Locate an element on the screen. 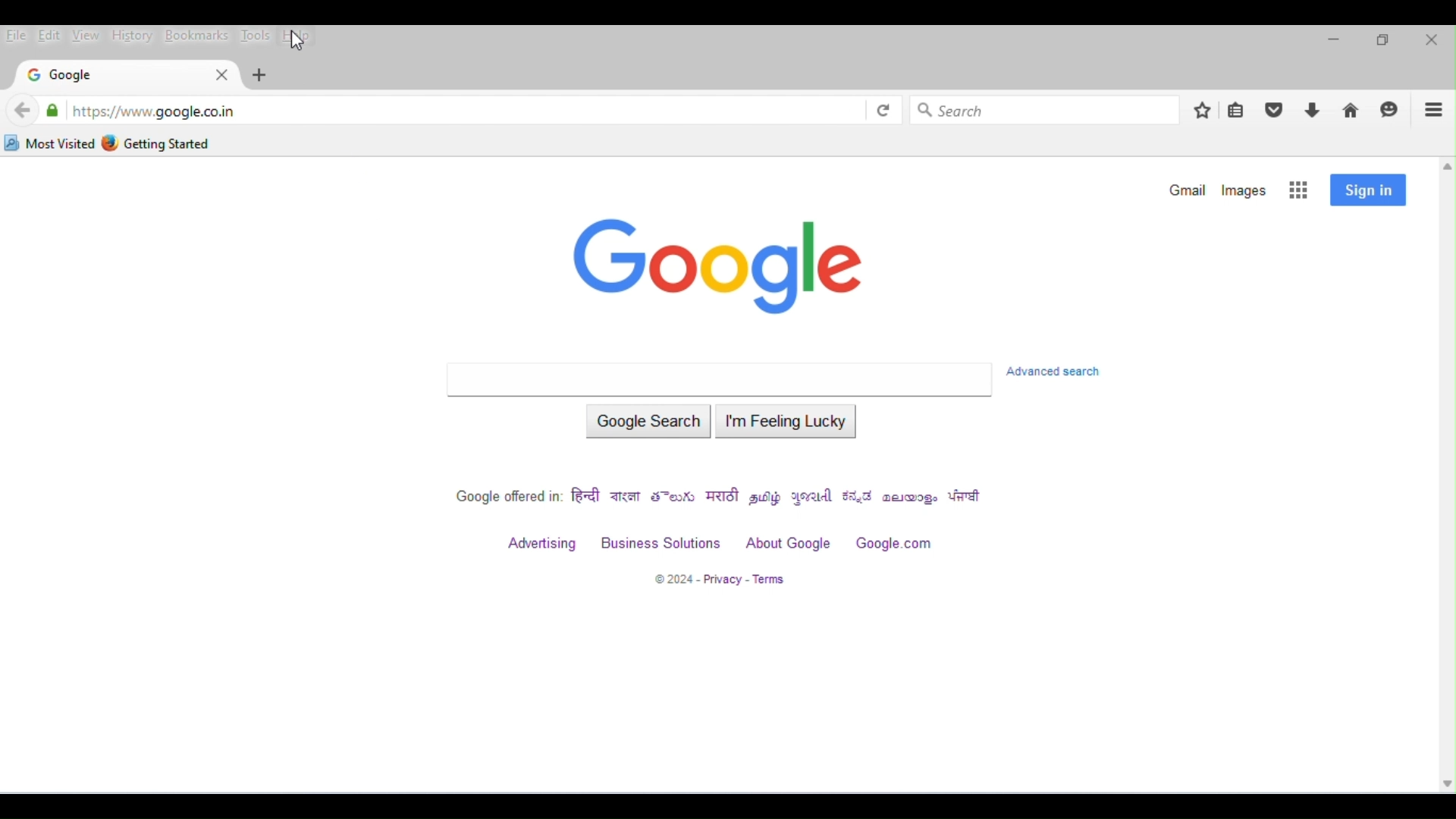 The width and height of the screenshot is (1456, 819). bookmarks is located at coordinates (196, 36).